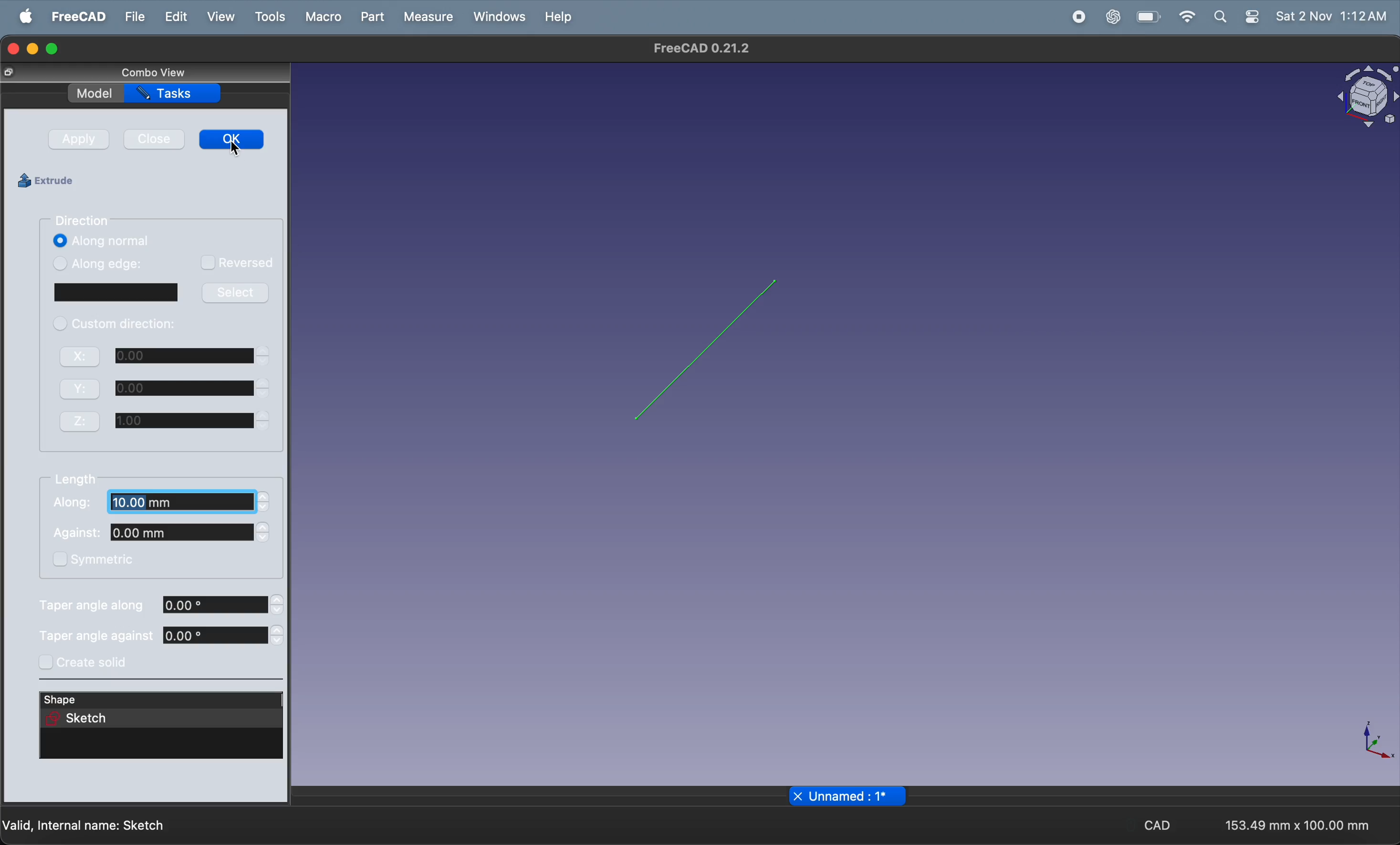 Image resolution: width=1400 pixels, height=845 pixels. I want to click on create soild, so click(86, 663).